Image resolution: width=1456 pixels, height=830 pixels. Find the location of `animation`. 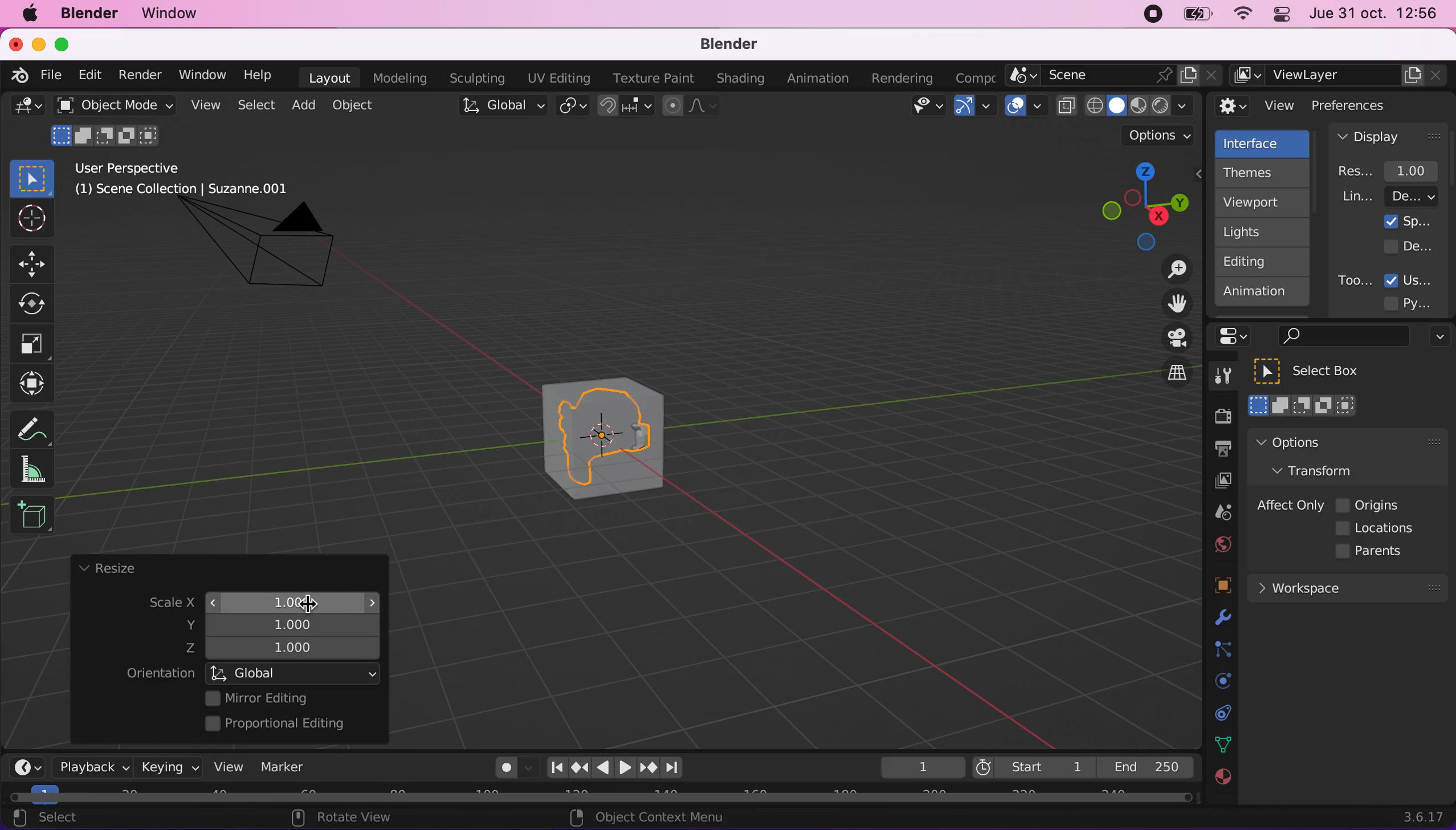

animation is located at coordinates (1263, 295).